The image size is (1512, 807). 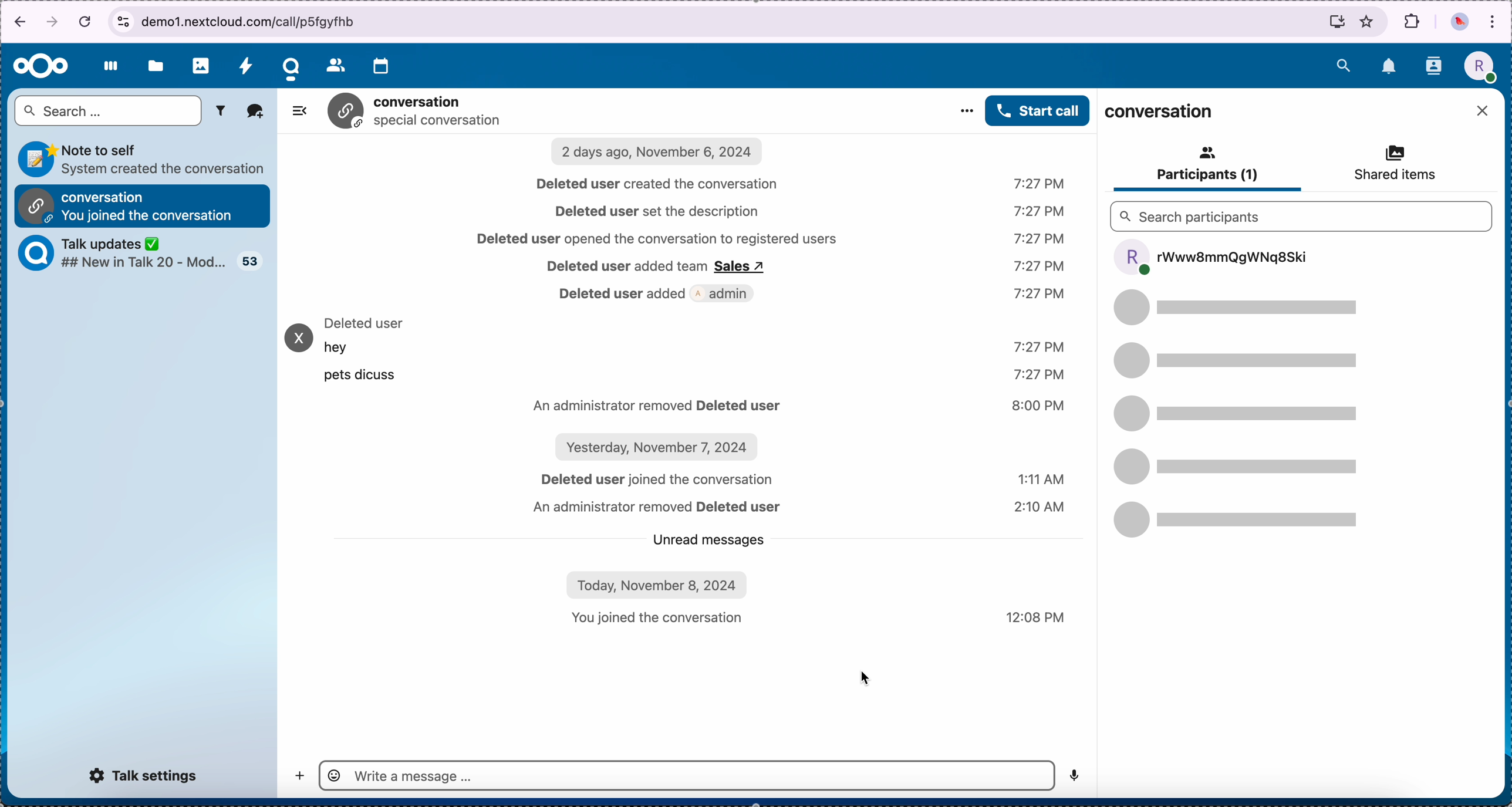 I want to click on other participants, so click(x=1244, y=414).